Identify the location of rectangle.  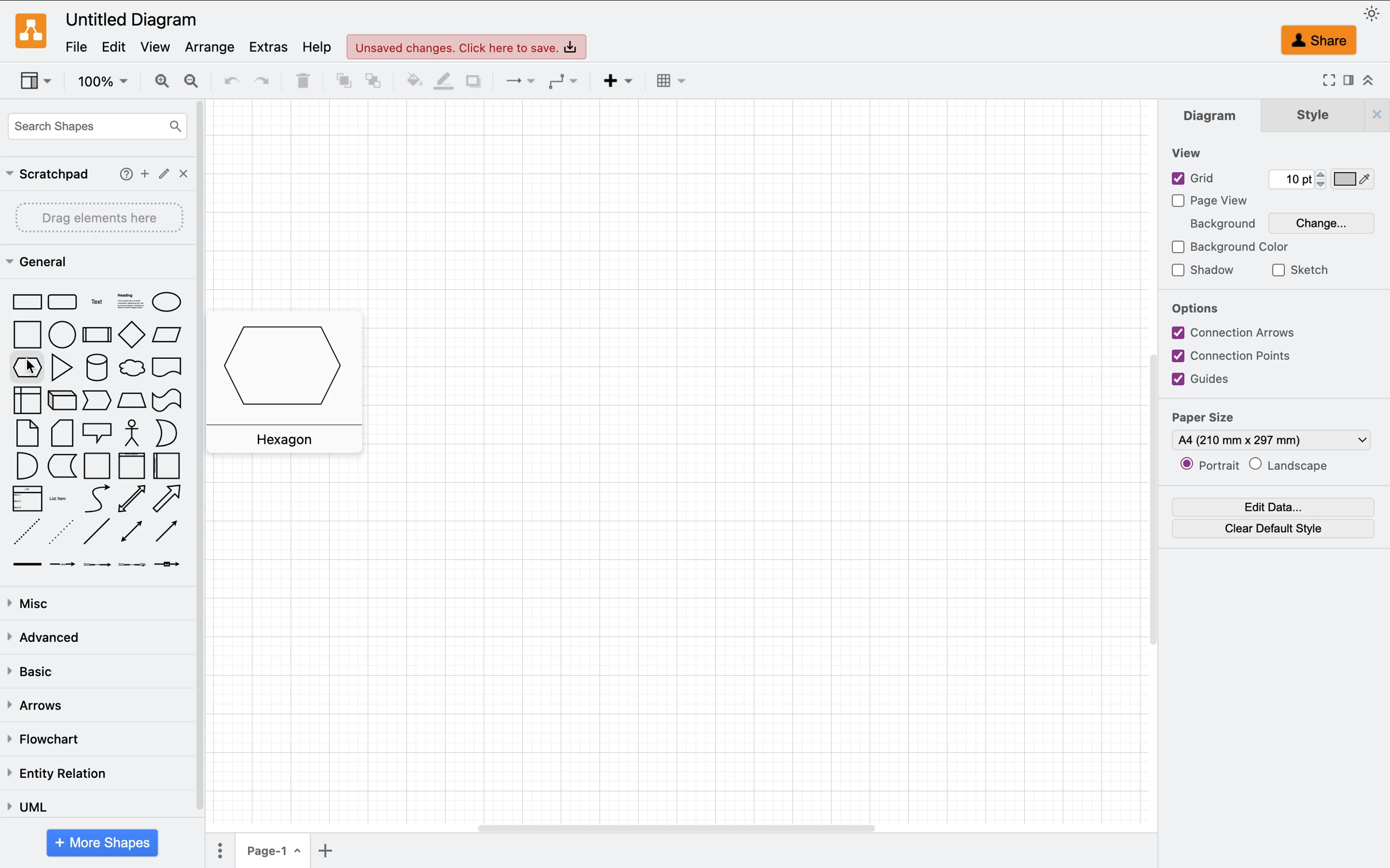
(24, 301).